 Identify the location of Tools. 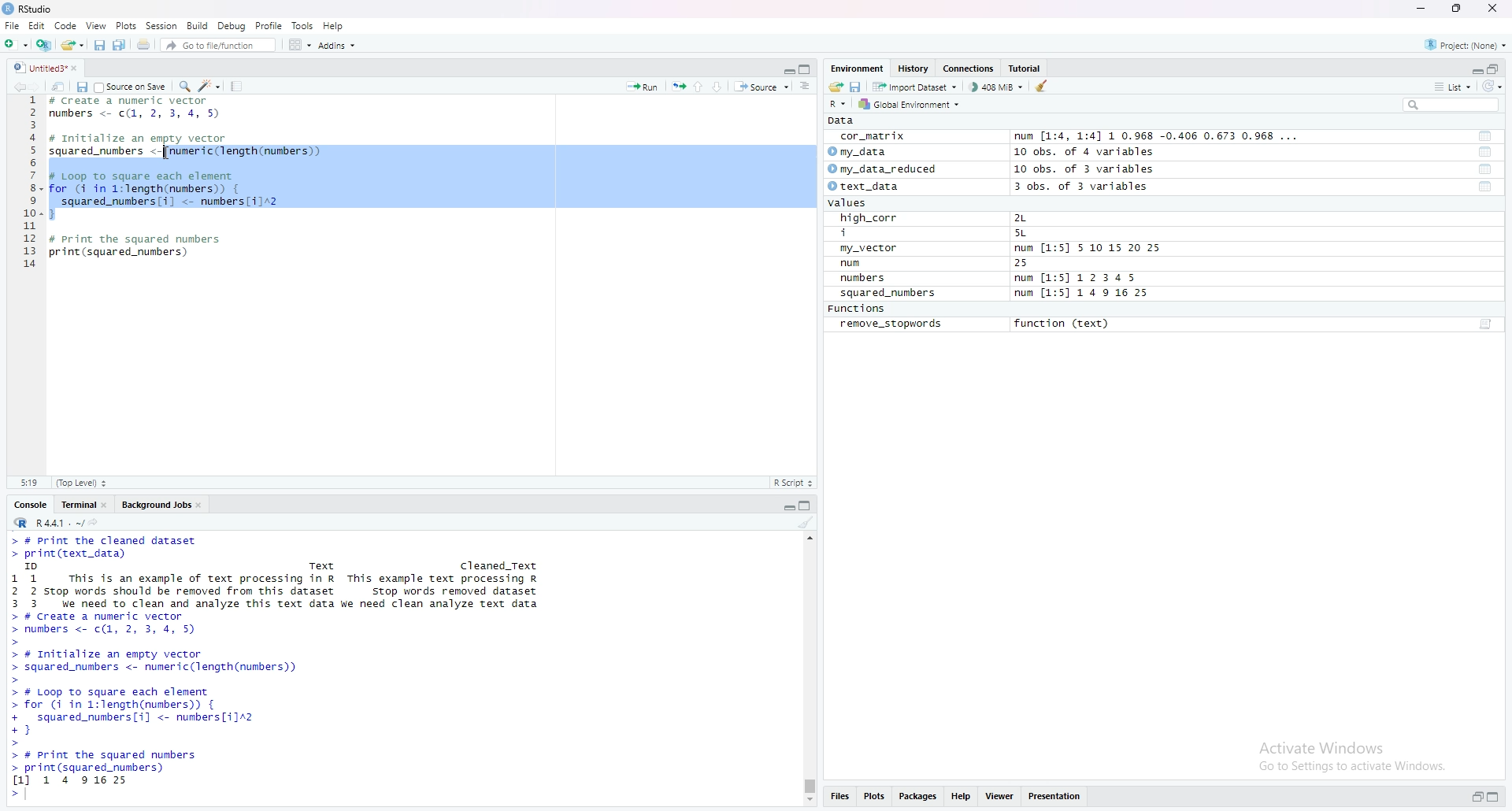
(303, 25).